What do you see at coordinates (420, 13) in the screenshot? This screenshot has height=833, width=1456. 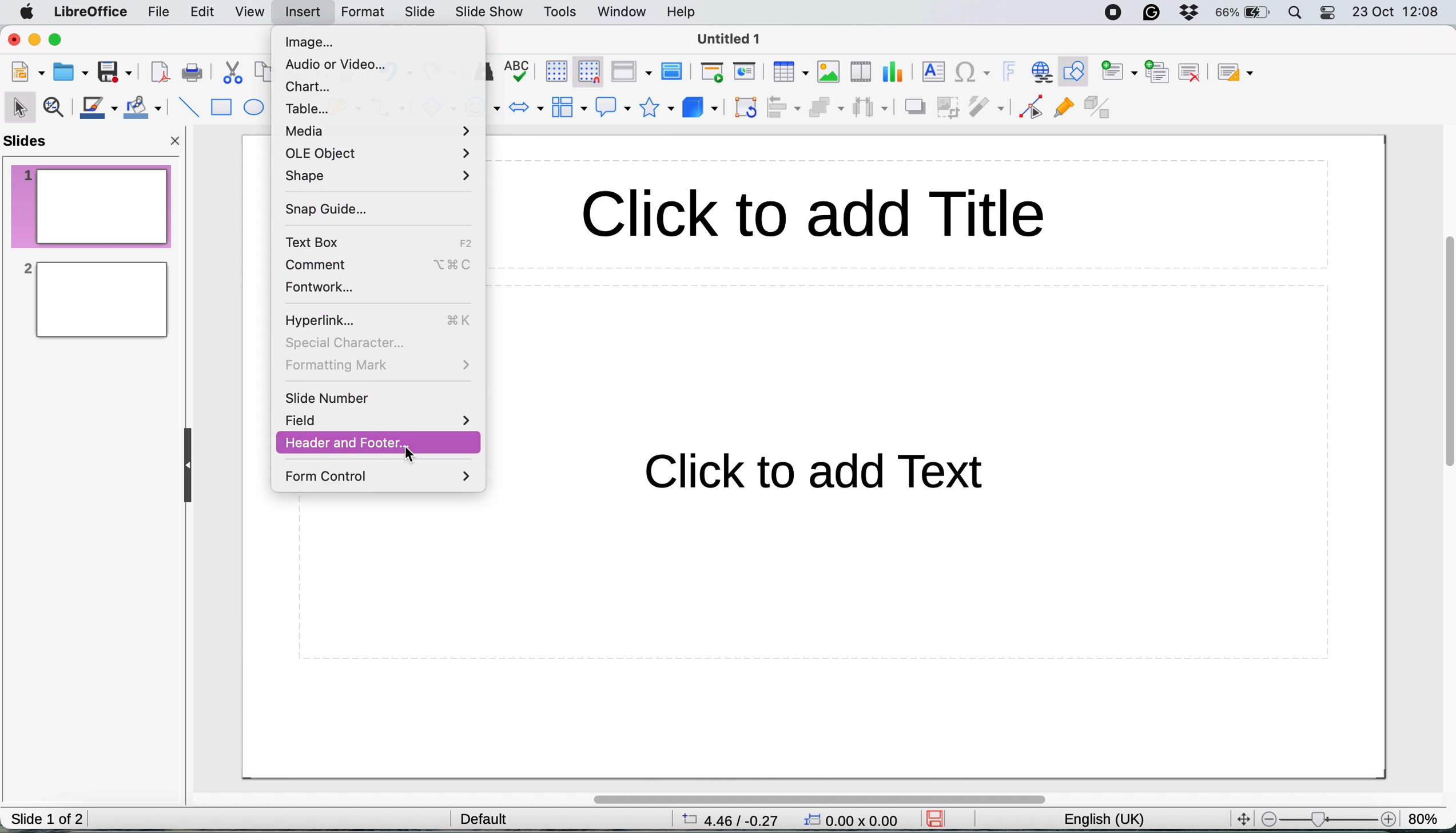 I see `slide` at bounding box center [420, 13].